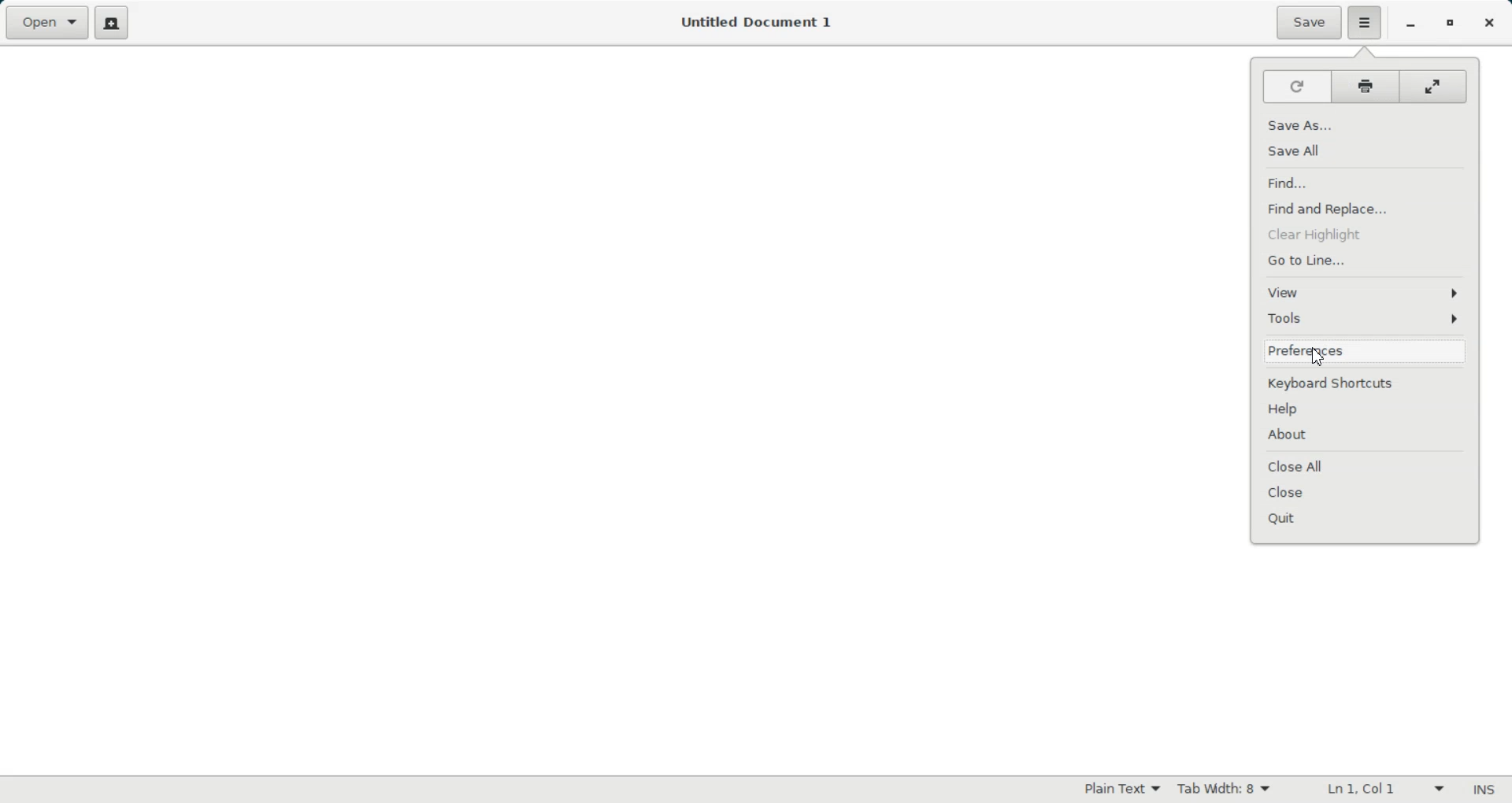 Image resolution: width=1512 pixels, height=803 pixels. Describe the element at coordinates (1411, 24) in the screenshot. I see `Minimize` at that location.